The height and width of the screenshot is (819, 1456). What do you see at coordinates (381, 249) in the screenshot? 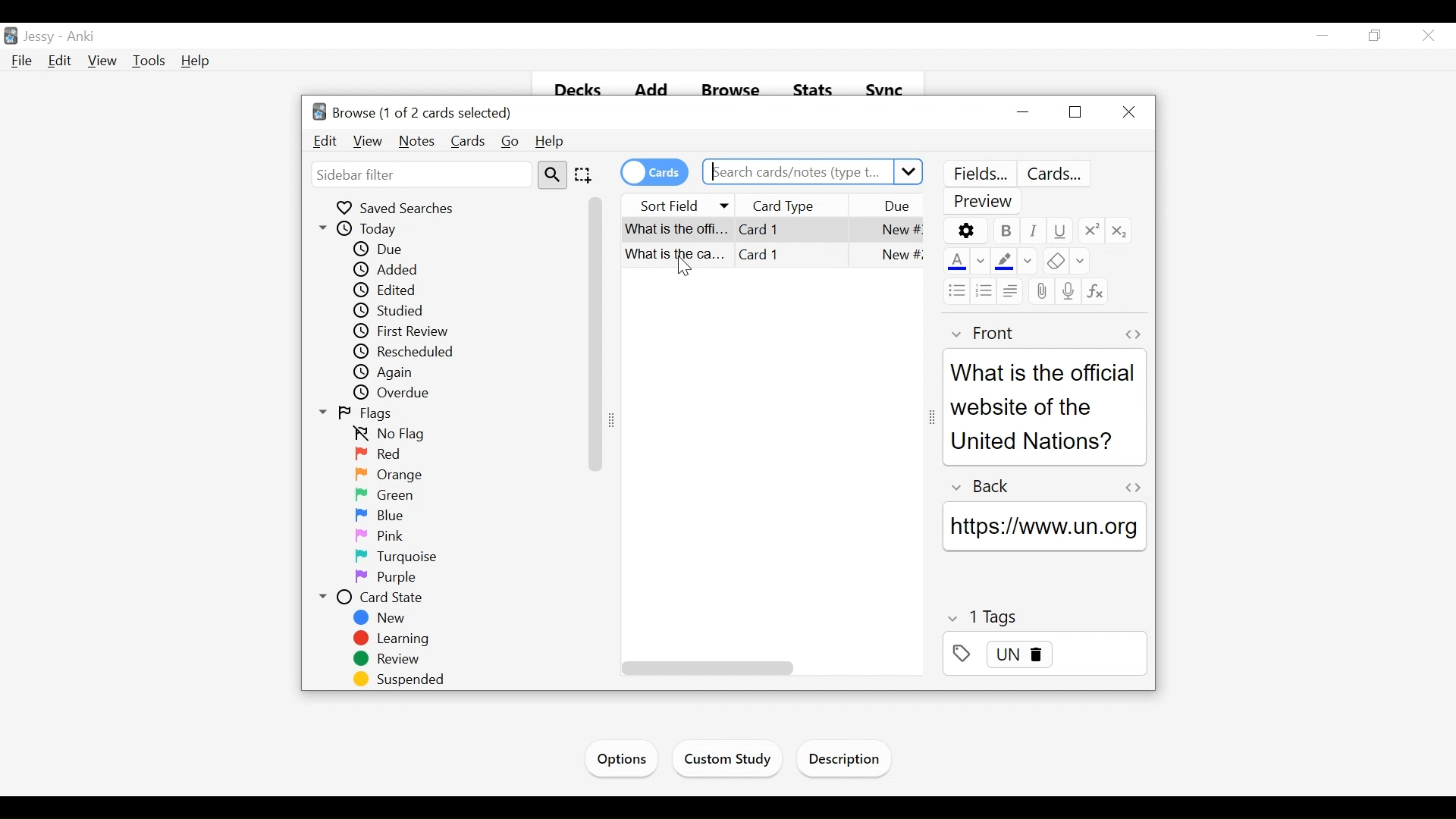
I see `Due` at bounding box center [381, 249].